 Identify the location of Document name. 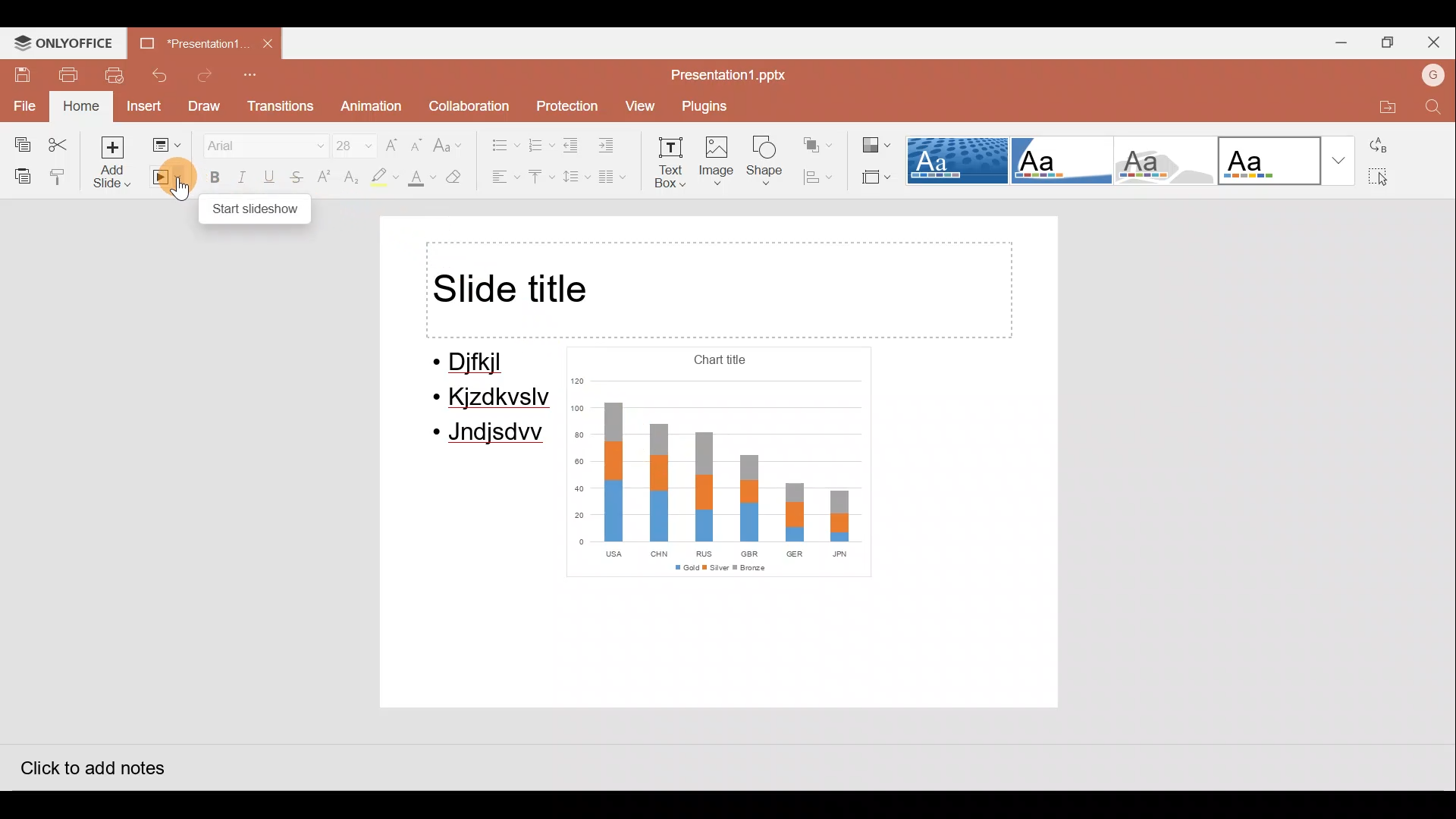
(186, 40).